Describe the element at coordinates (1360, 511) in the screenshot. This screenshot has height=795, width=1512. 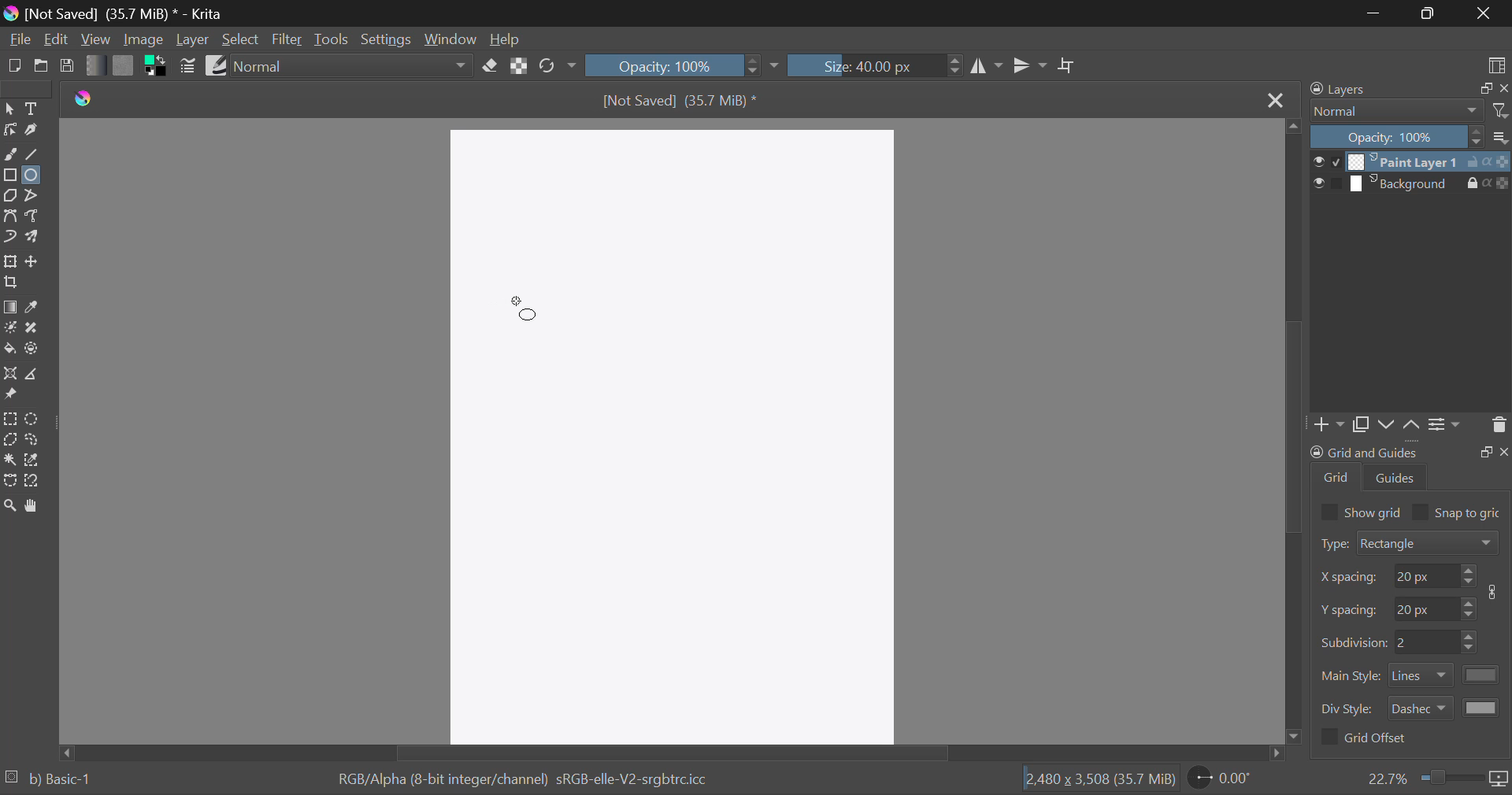
I see `Show grid` at that location.